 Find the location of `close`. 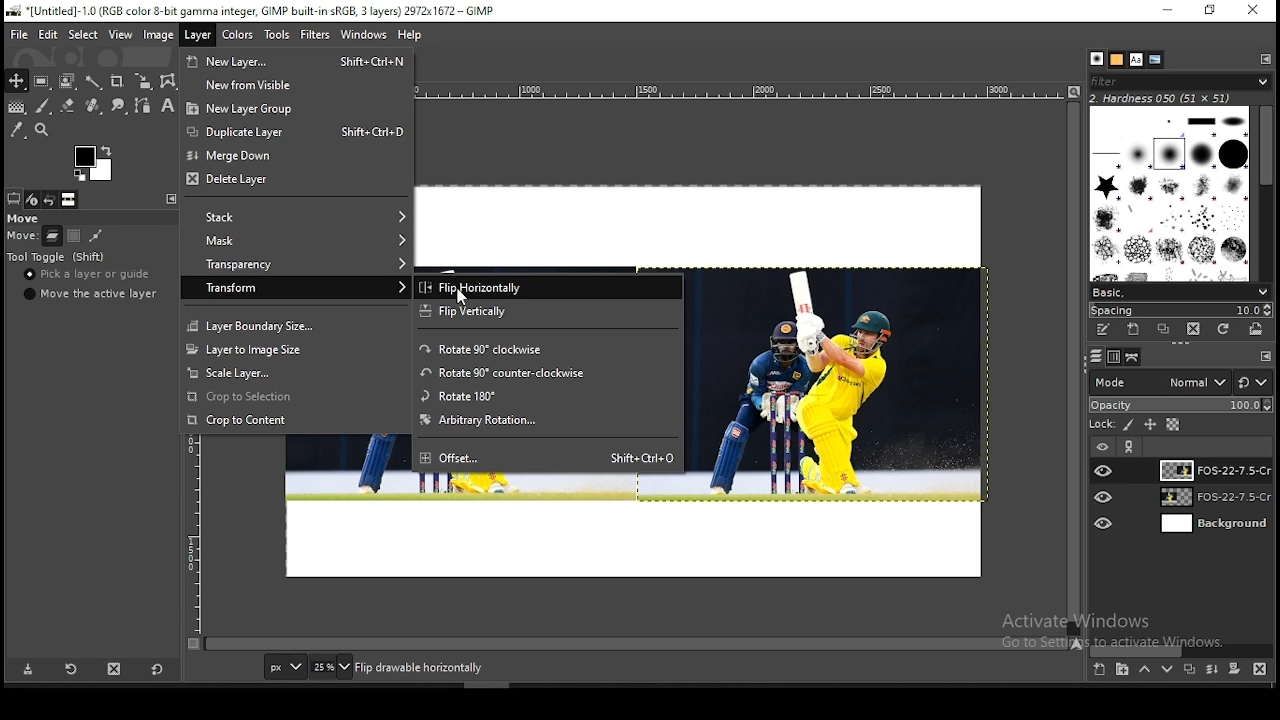

close is located at coordinates (1253, 10).